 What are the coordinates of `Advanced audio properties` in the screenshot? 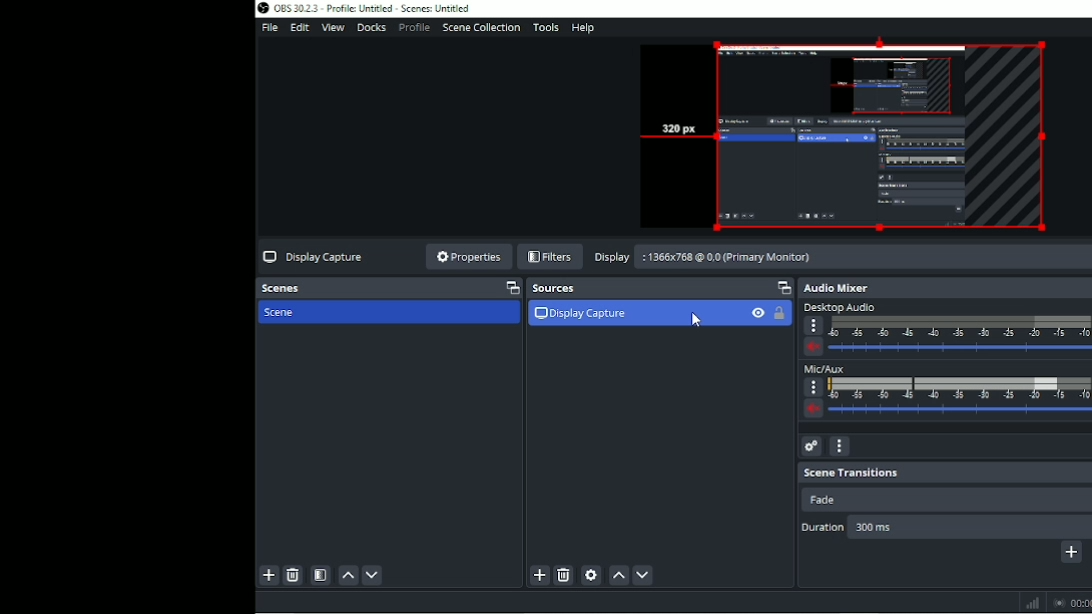 It's located at (811, 447).